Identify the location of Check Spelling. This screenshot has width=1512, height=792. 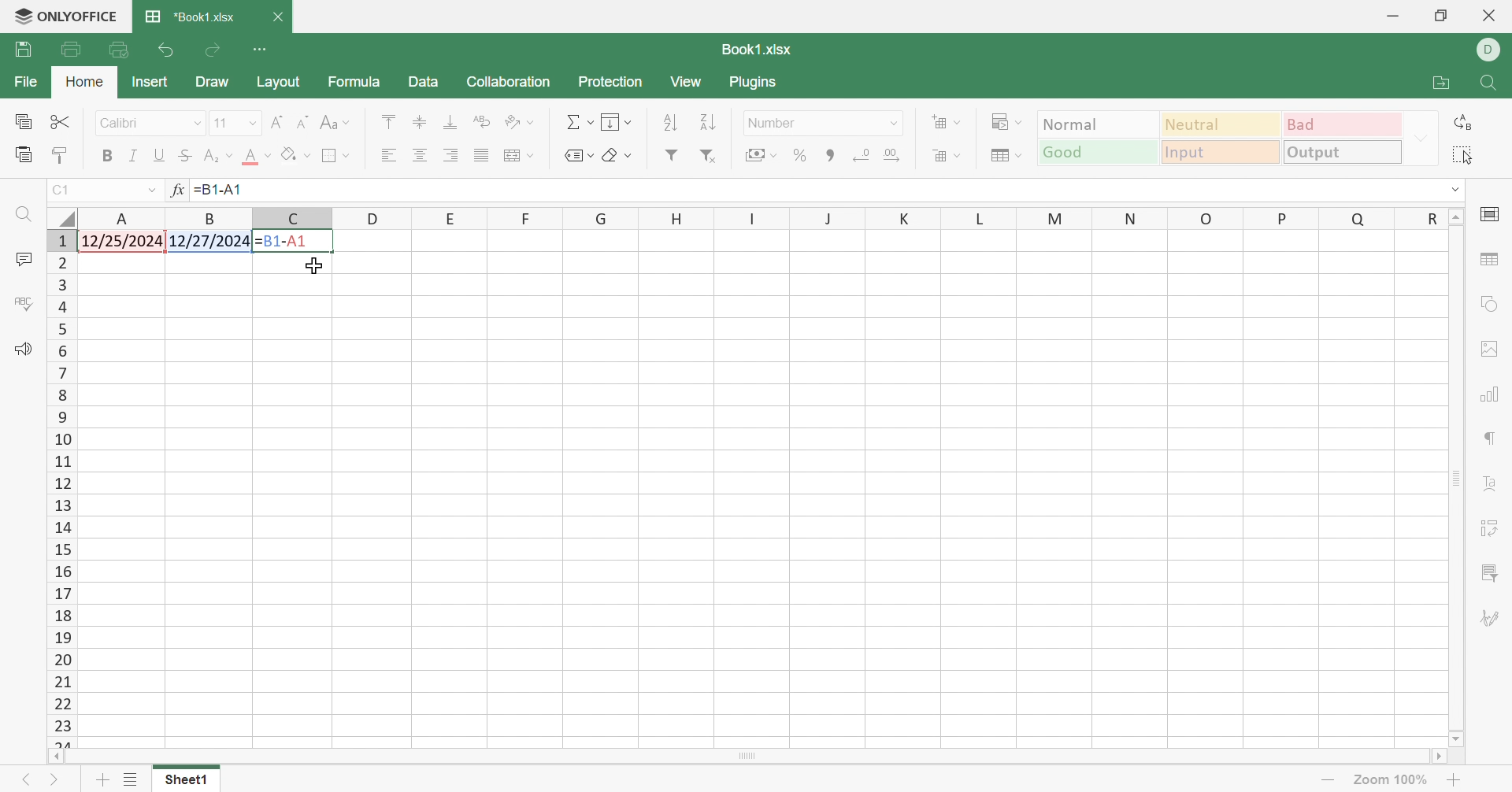
(23, 305).